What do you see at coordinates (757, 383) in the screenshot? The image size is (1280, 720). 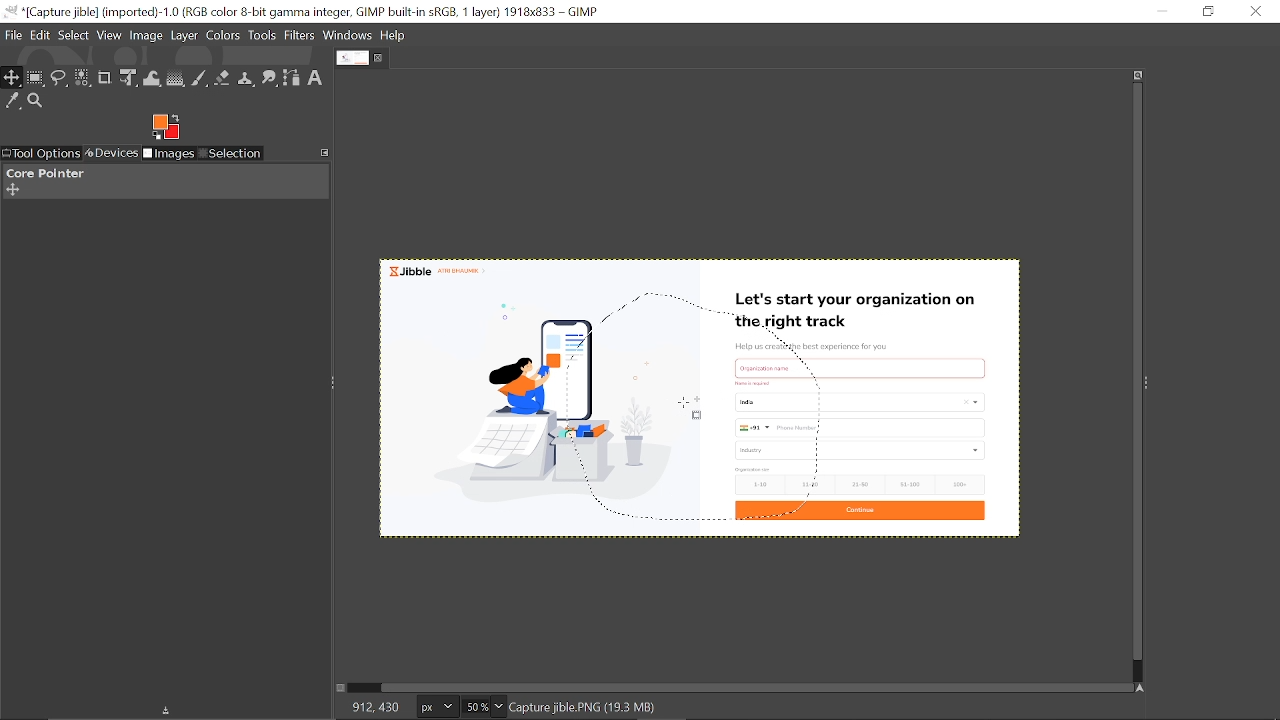 I see `` at bounding box center [757, 383].